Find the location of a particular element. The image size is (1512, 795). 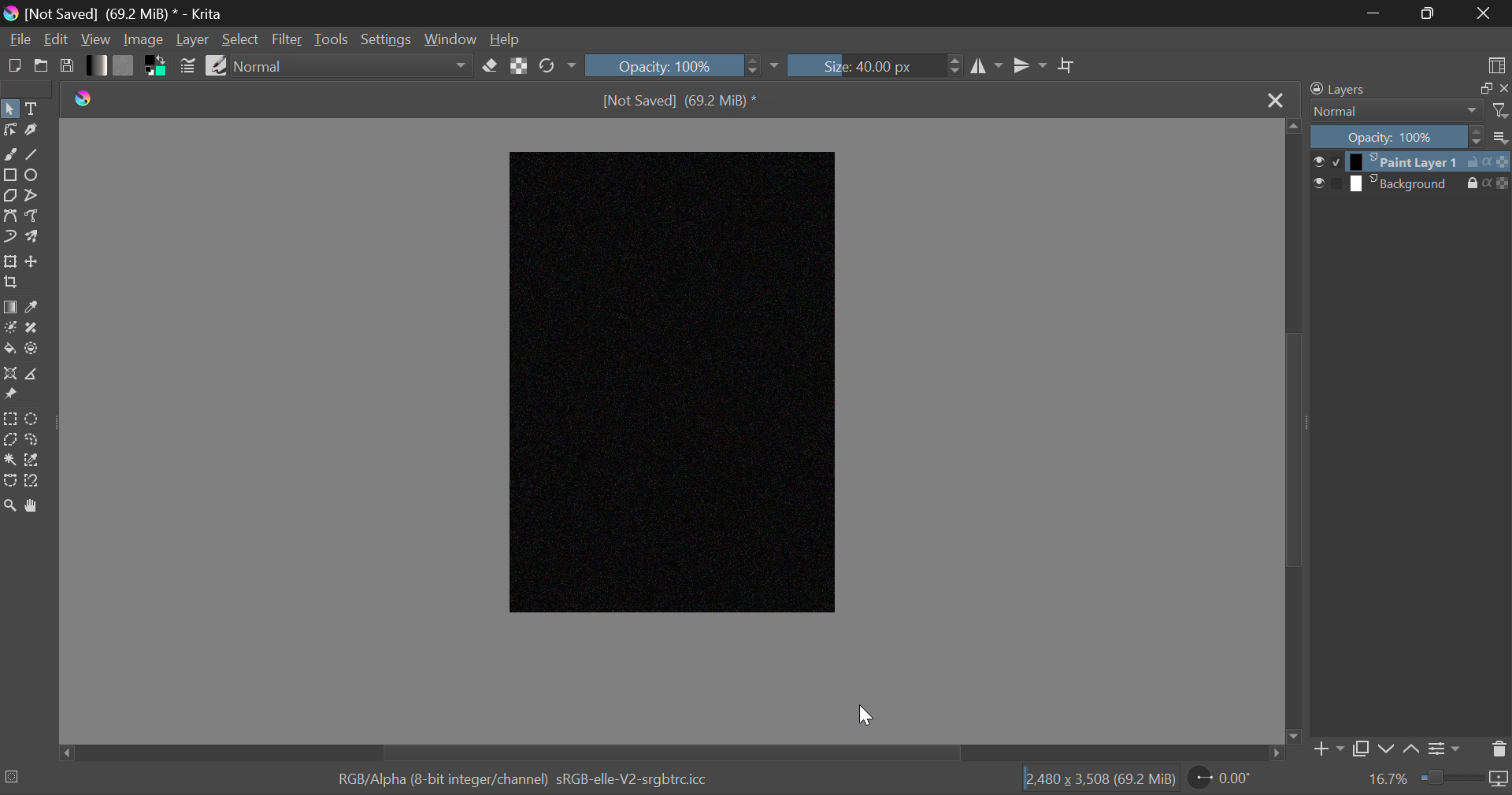

Brush Settings is located at coordinates (189, 66).